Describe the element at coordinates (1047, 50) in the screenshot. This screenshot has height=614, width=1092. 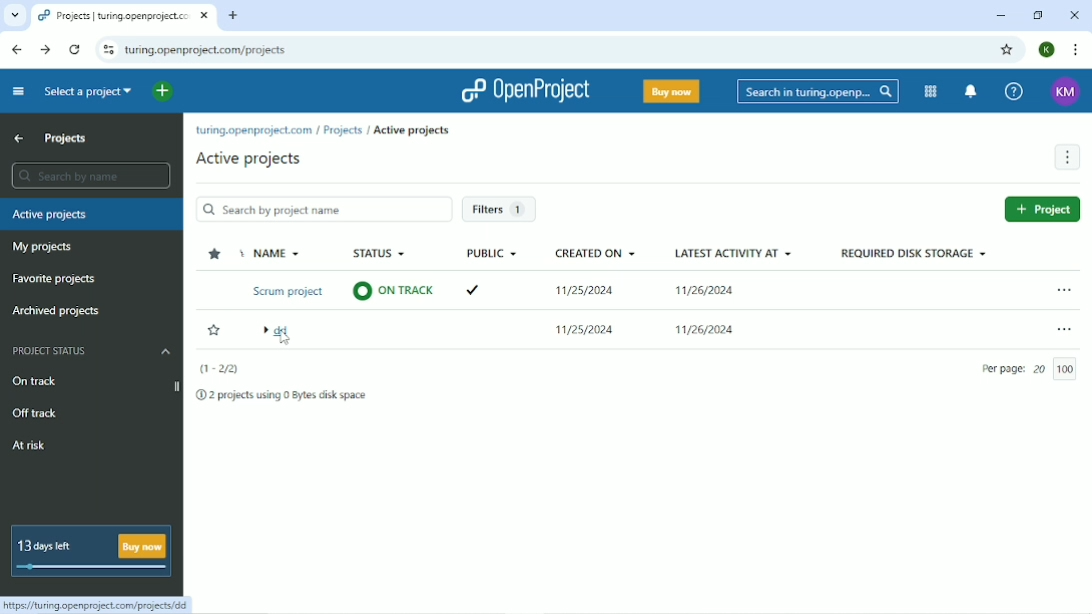
I see `K` at that location.